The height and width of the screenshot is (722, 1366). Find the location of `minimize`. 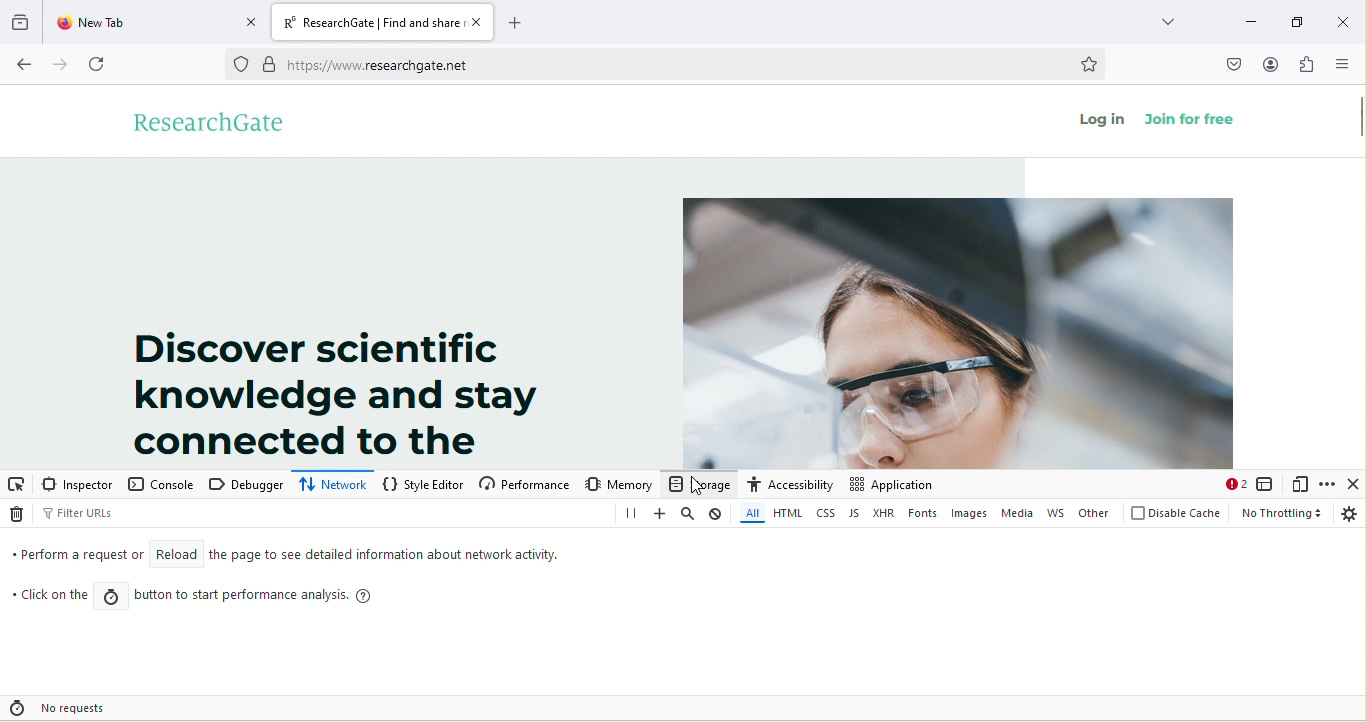

minimize is located at coordinates (1249, 21).